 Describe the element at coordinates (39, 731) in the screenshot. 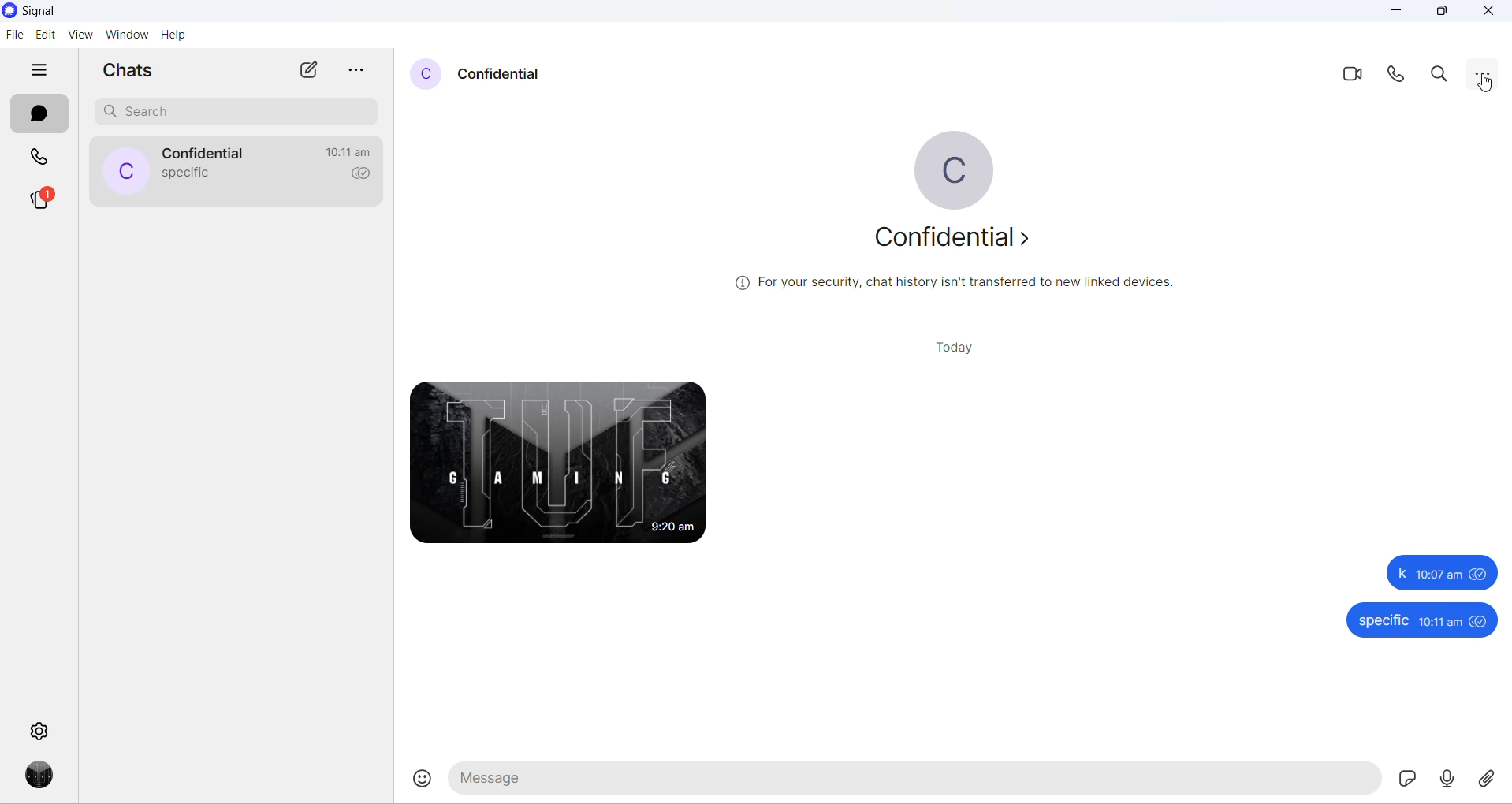

I see `settings` at that location.